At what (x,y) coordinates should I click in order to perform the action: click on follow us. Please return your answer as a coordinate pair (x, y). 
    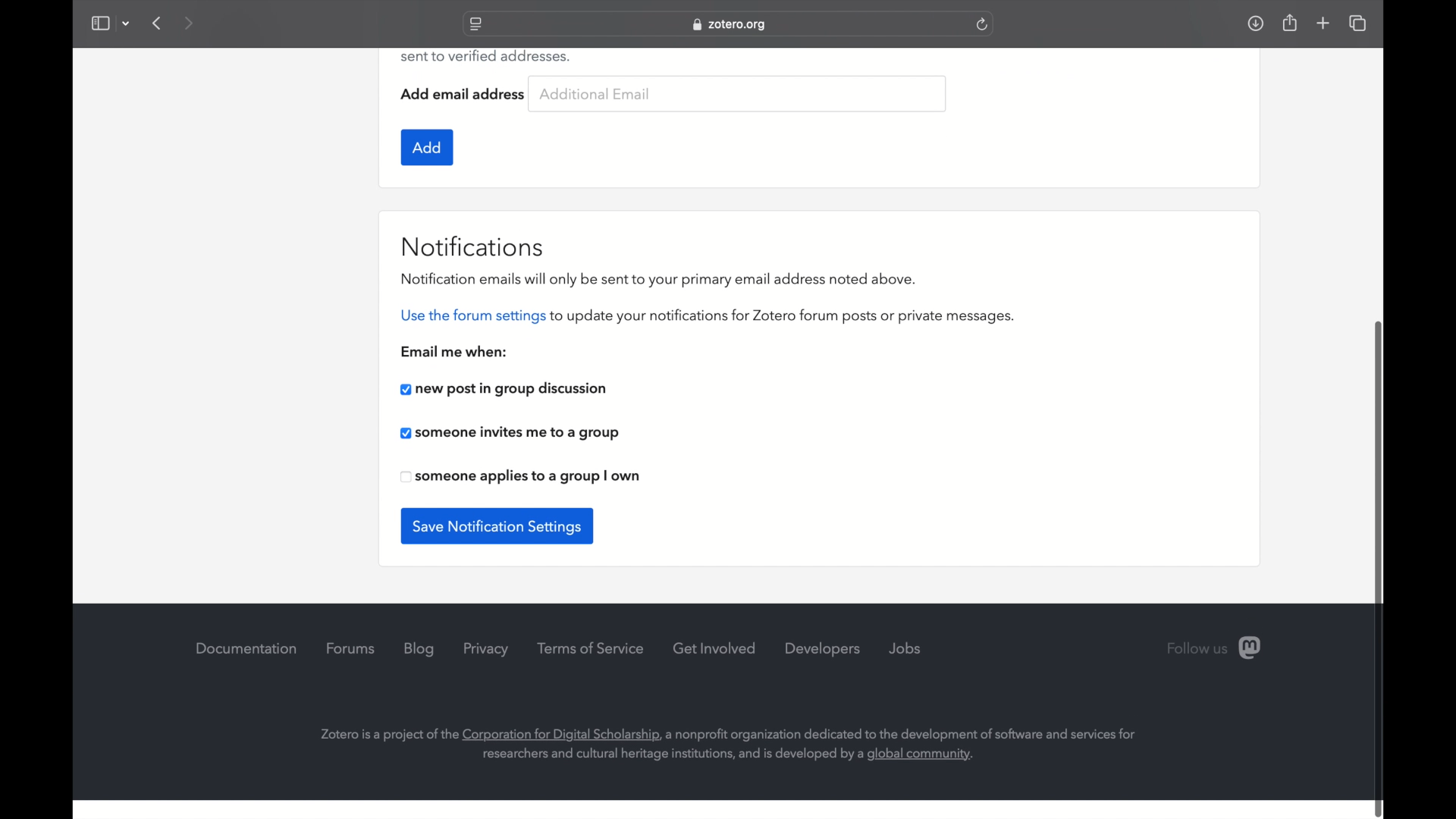
    Looking at the image, I should click on (1216, 647).